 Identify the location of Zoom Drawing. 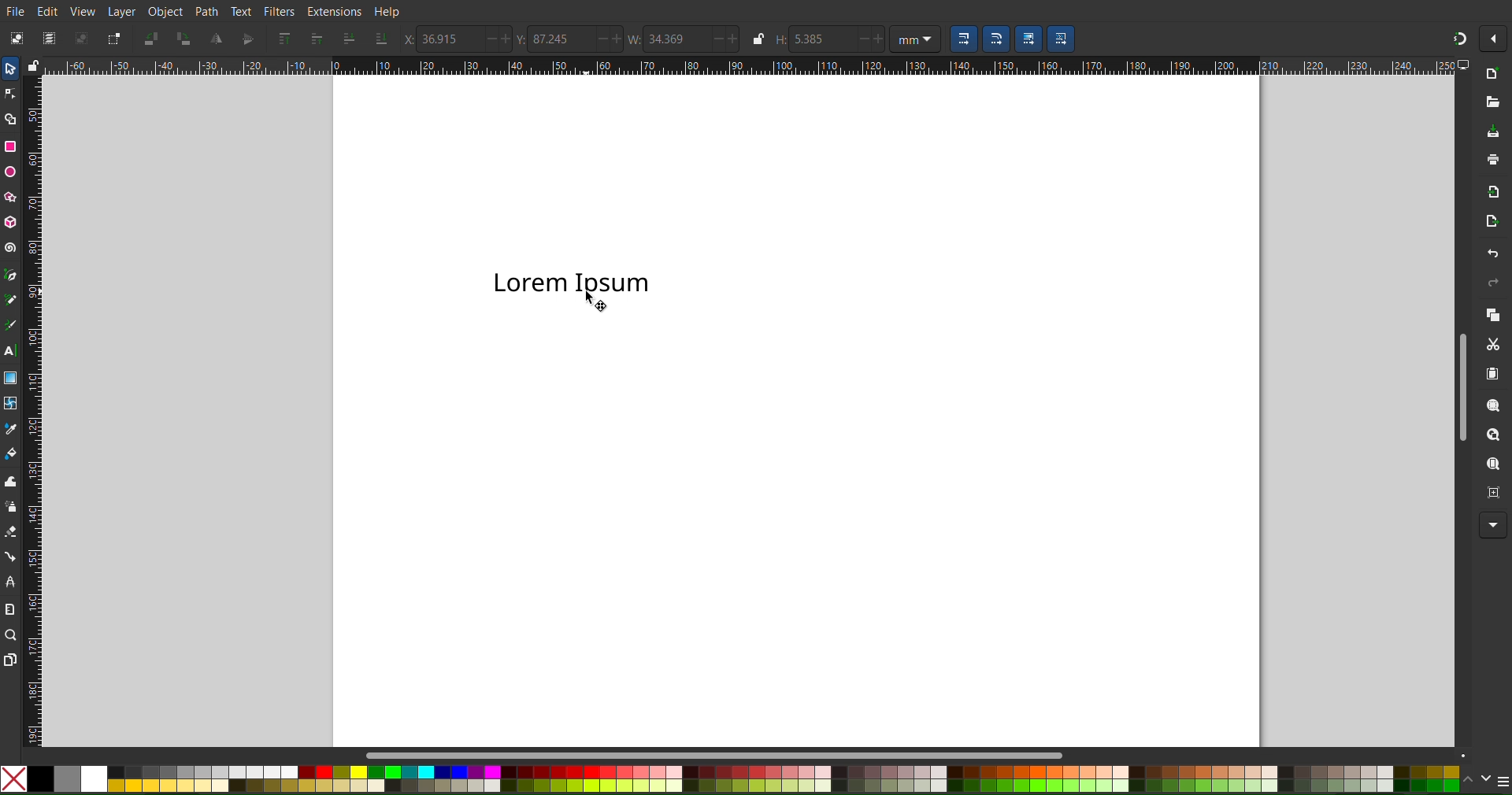
(1488, 436).